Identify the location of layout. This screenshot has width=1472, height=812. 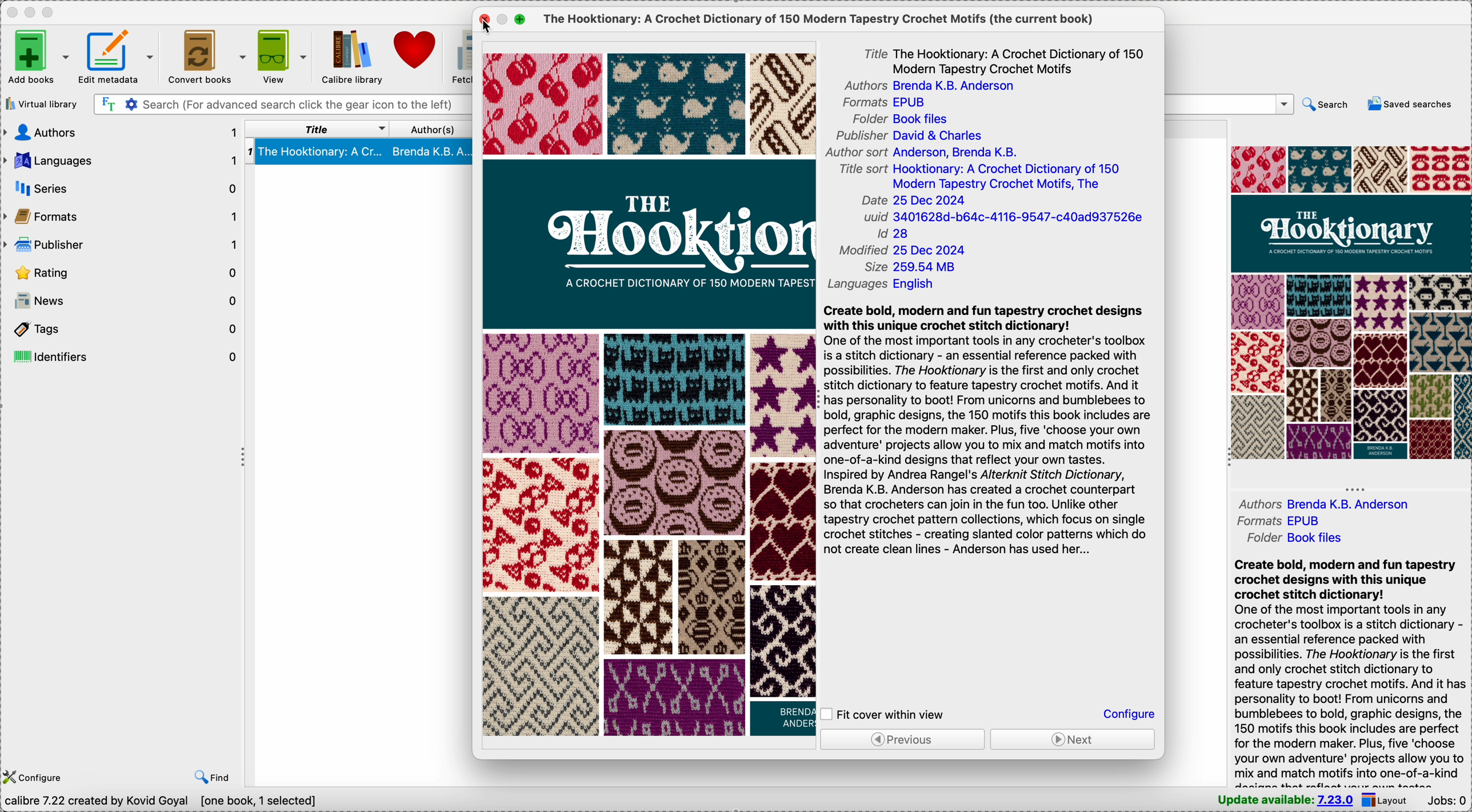
(1387, 800).